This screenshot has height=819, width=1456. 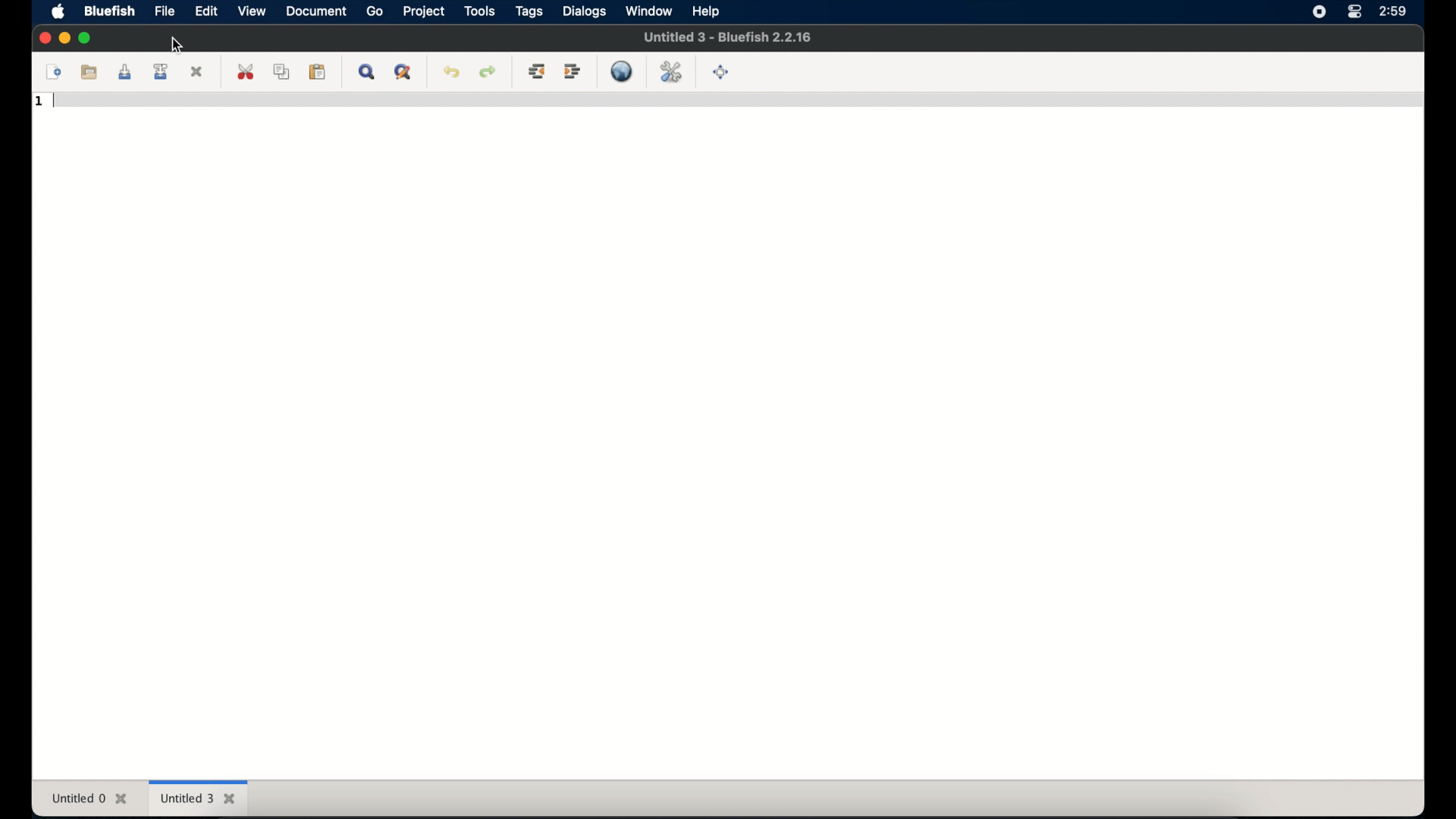 What do you see at coordinates (284, 71) in the screenshot?
I see `copy` at bounding box center [284, 71].